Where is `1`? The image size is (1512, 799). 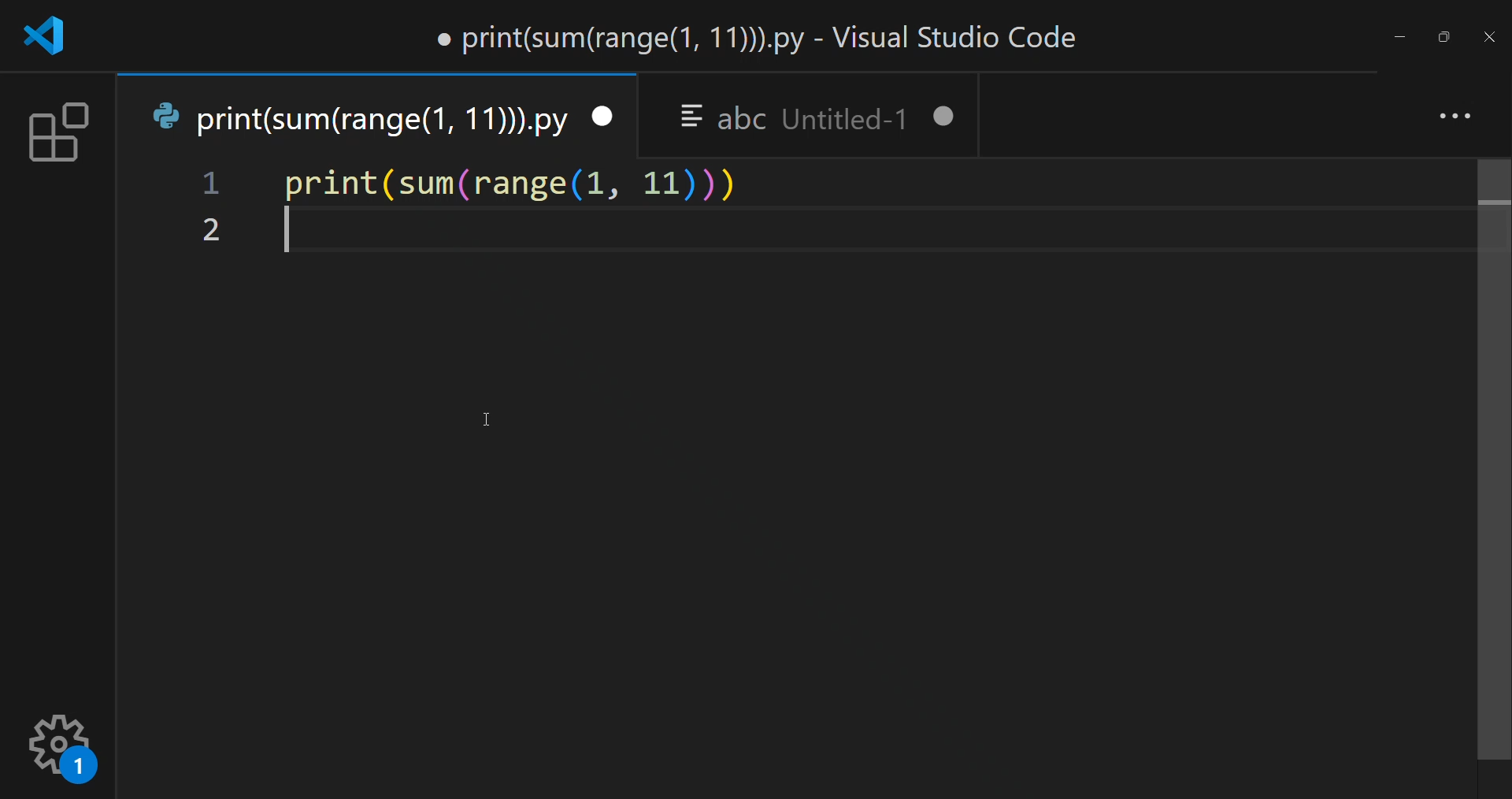 1 is located at coordinates (213, 185).